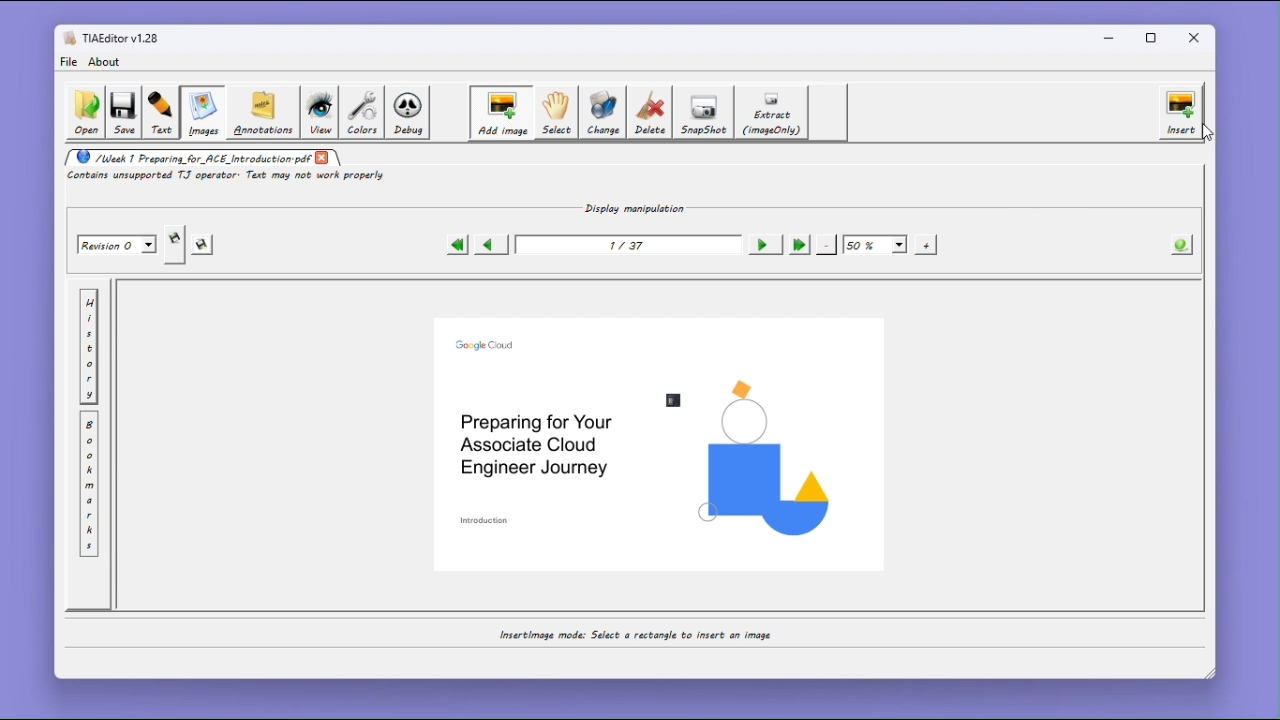  Describe the element at coordinates (827, 243) in the screenshot. I see `-` at that location.